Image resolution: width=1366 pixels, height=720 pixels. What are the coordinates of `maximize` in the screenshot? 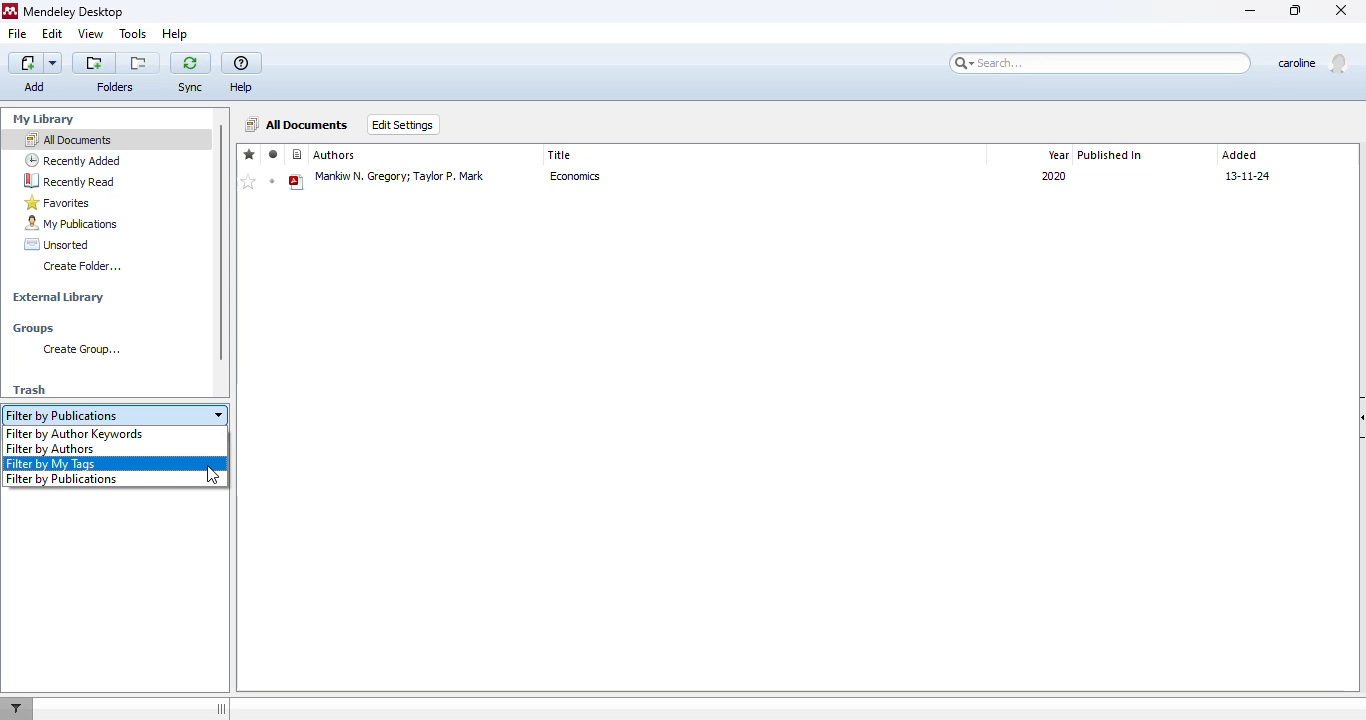 It's located at (1296, 10).